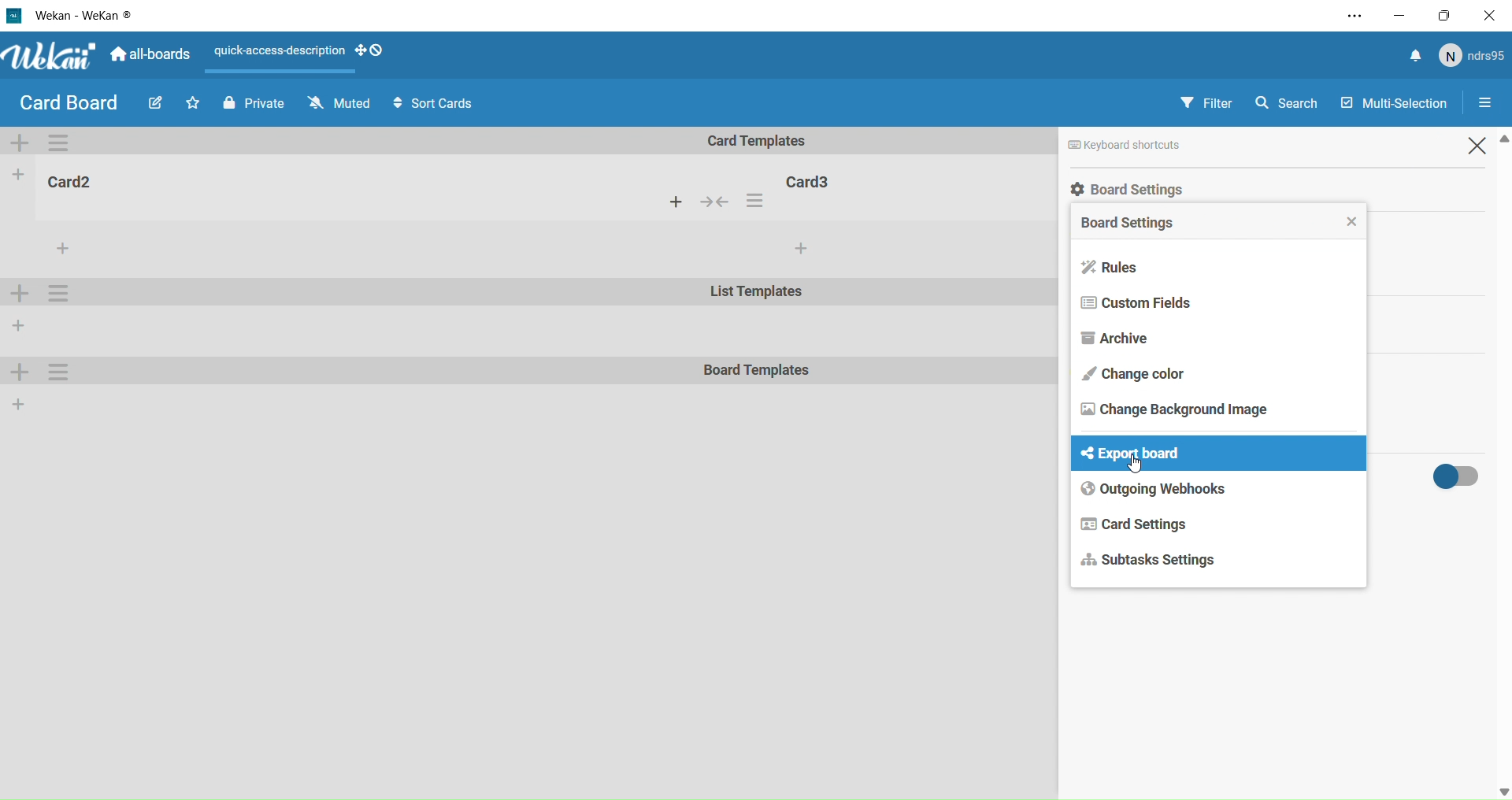 This screenshot has height=800, width=1512. What do you see at coordinates (20, 141) in the screenshot?
I see `` at bounding box center [20, 141].